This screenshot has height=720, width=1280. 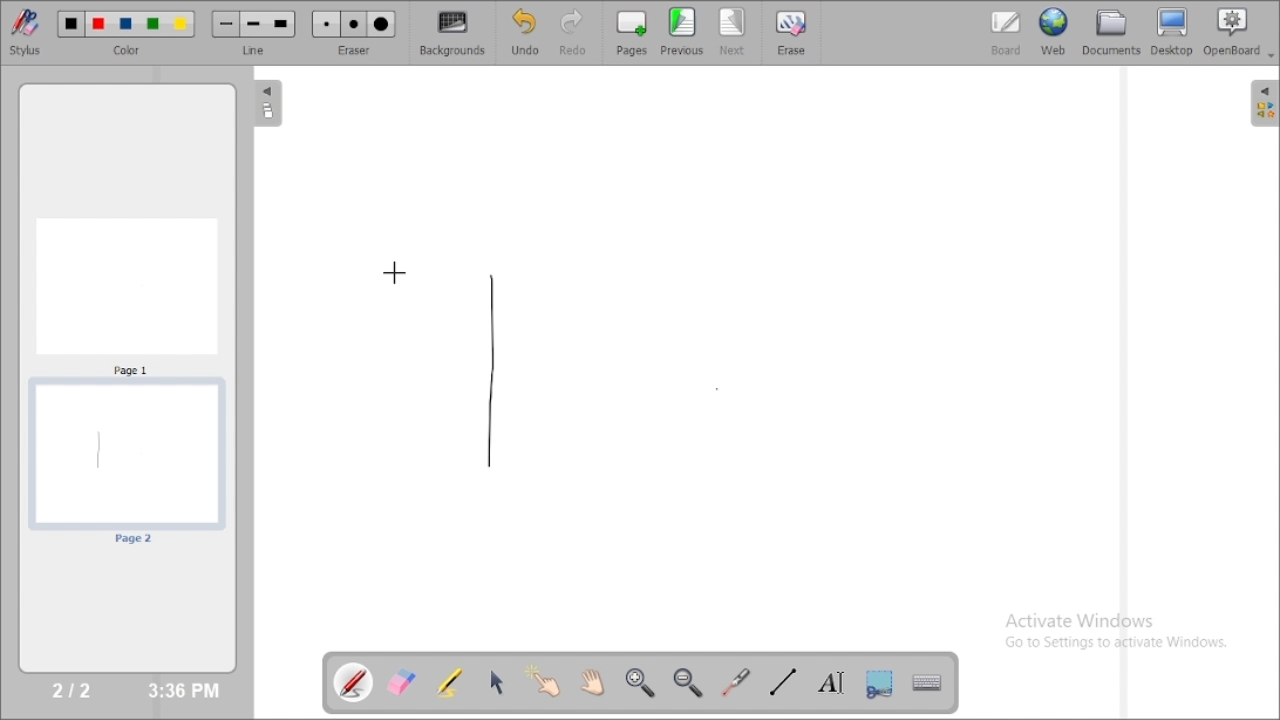 What do you see at coordinates (127, 295) in the screenshot?
I see `Page 1` at bounding box center [127, 295].